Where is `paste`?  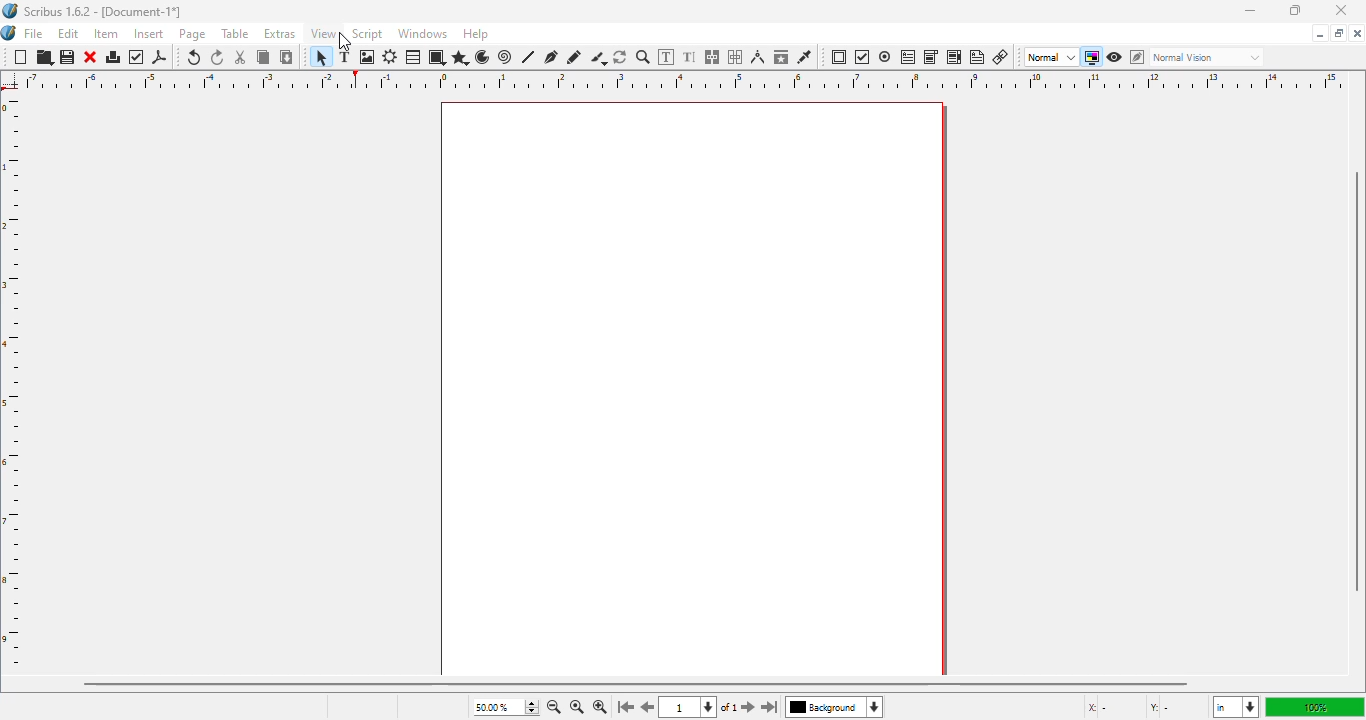 paste is located at coordinates (287, 57).